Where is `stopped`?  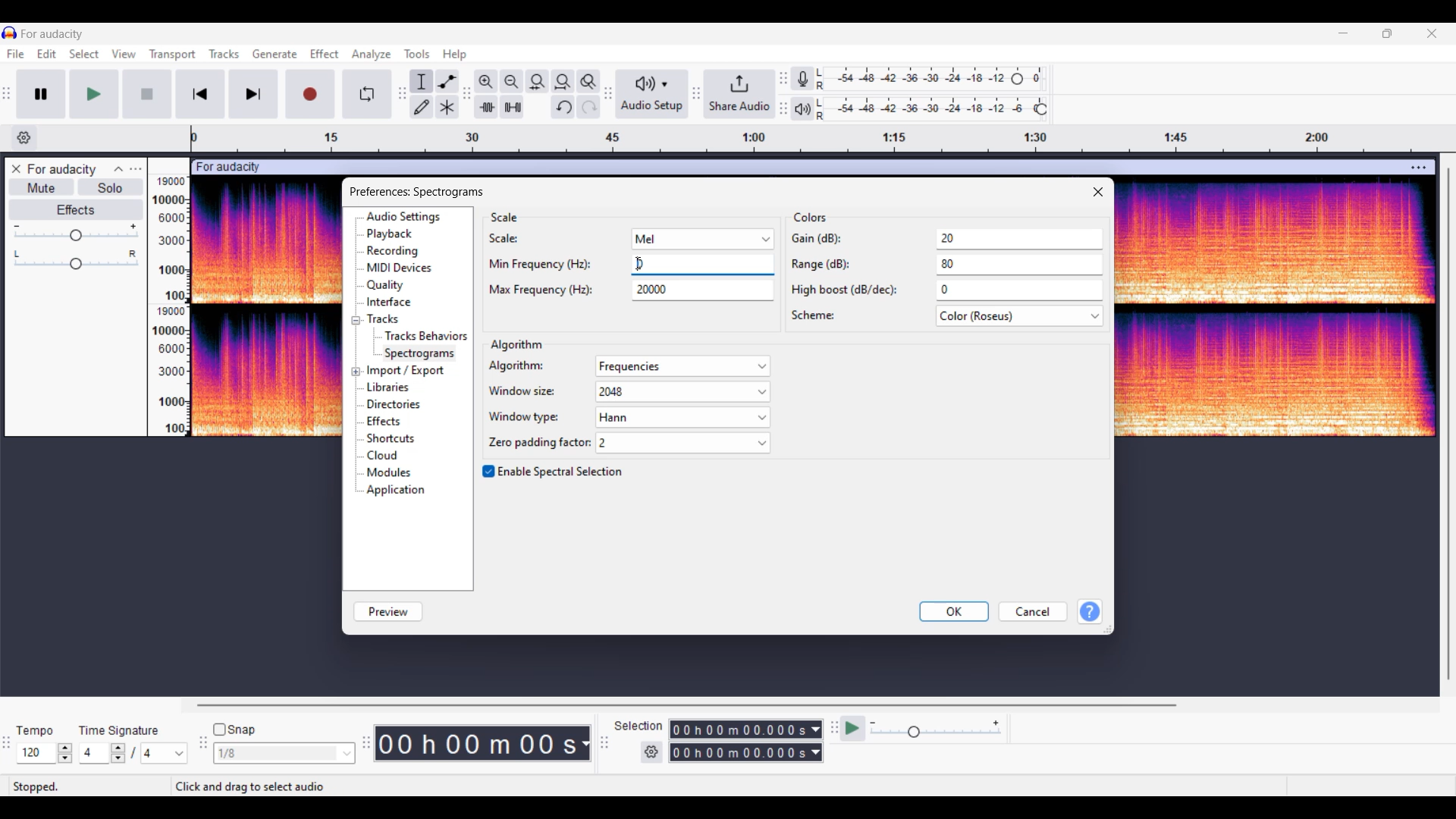 stopped is located at coordinates (49, 786).